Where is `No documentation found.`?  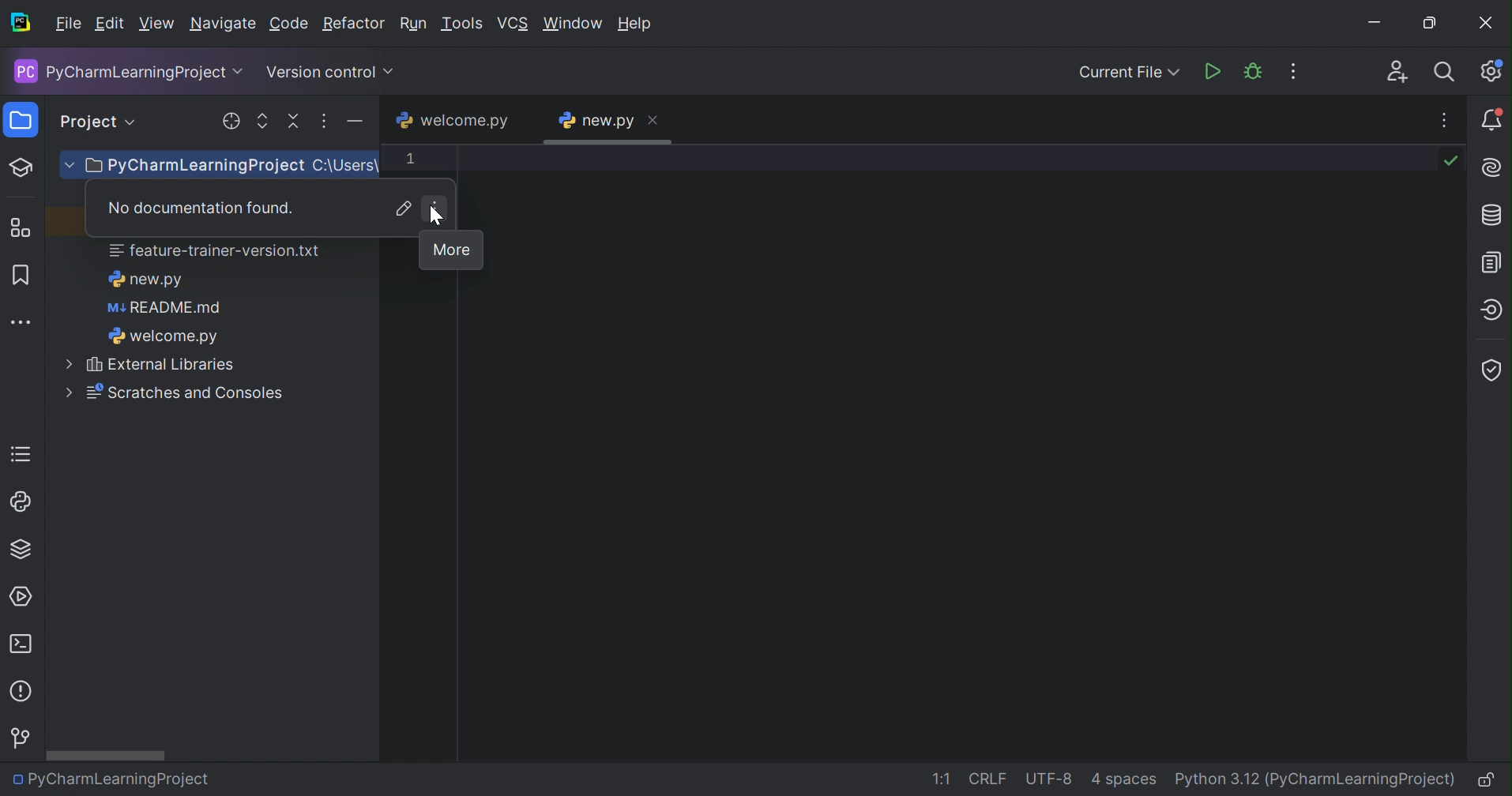
No documentation found. is located at coordinates (197, 207).